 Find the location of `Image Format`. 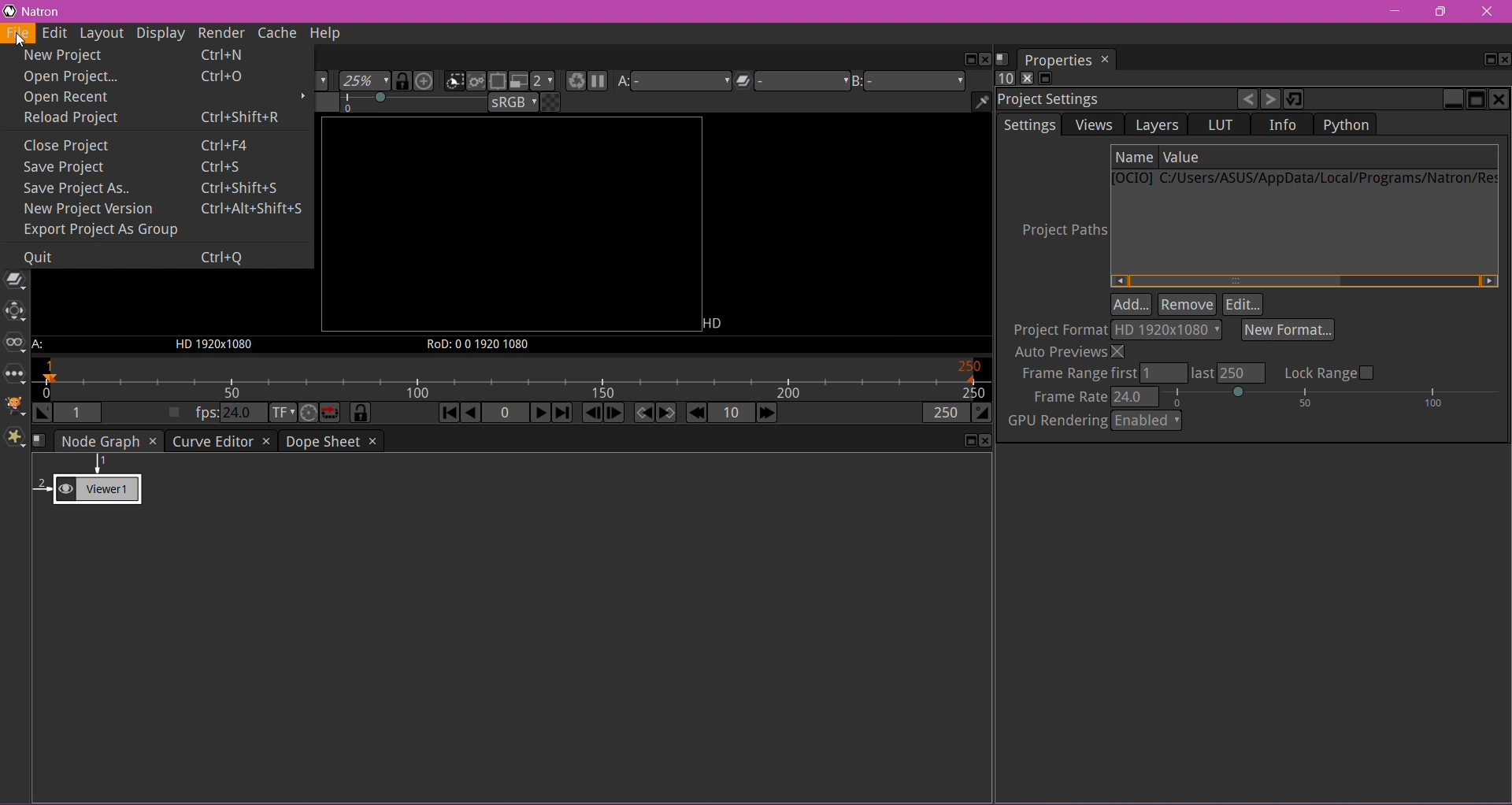

Image Format is located at coordinates (718, 323).